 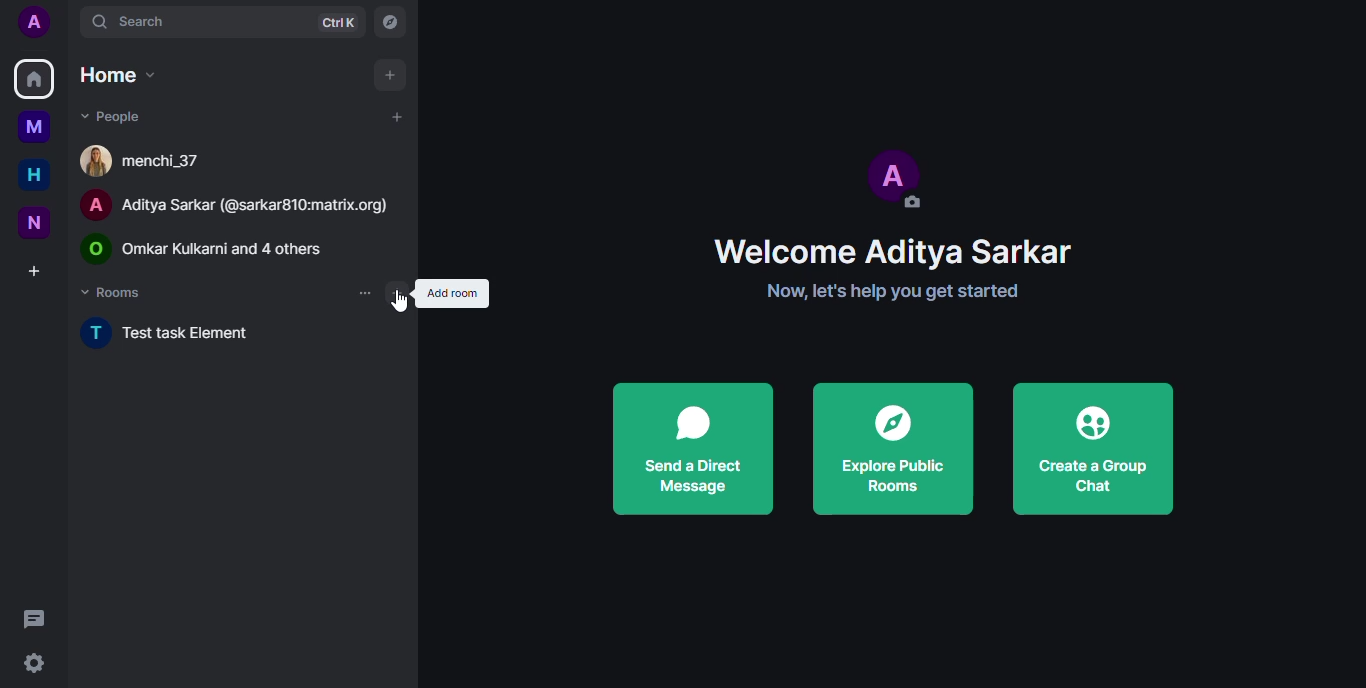 I want to click on add room, so click(x=452, y=294).